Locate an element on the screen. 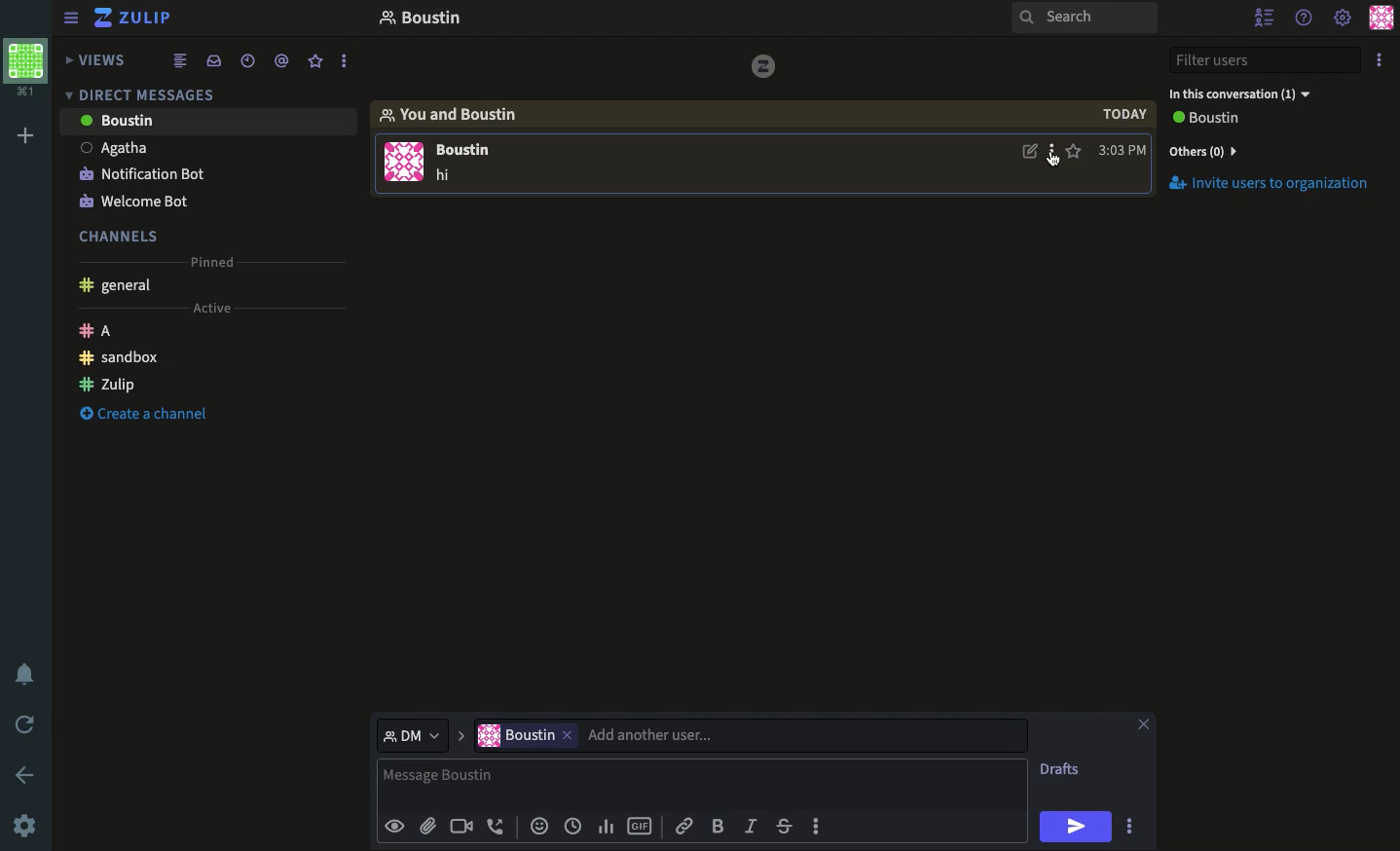  Text is located at coordinates (447, 176).